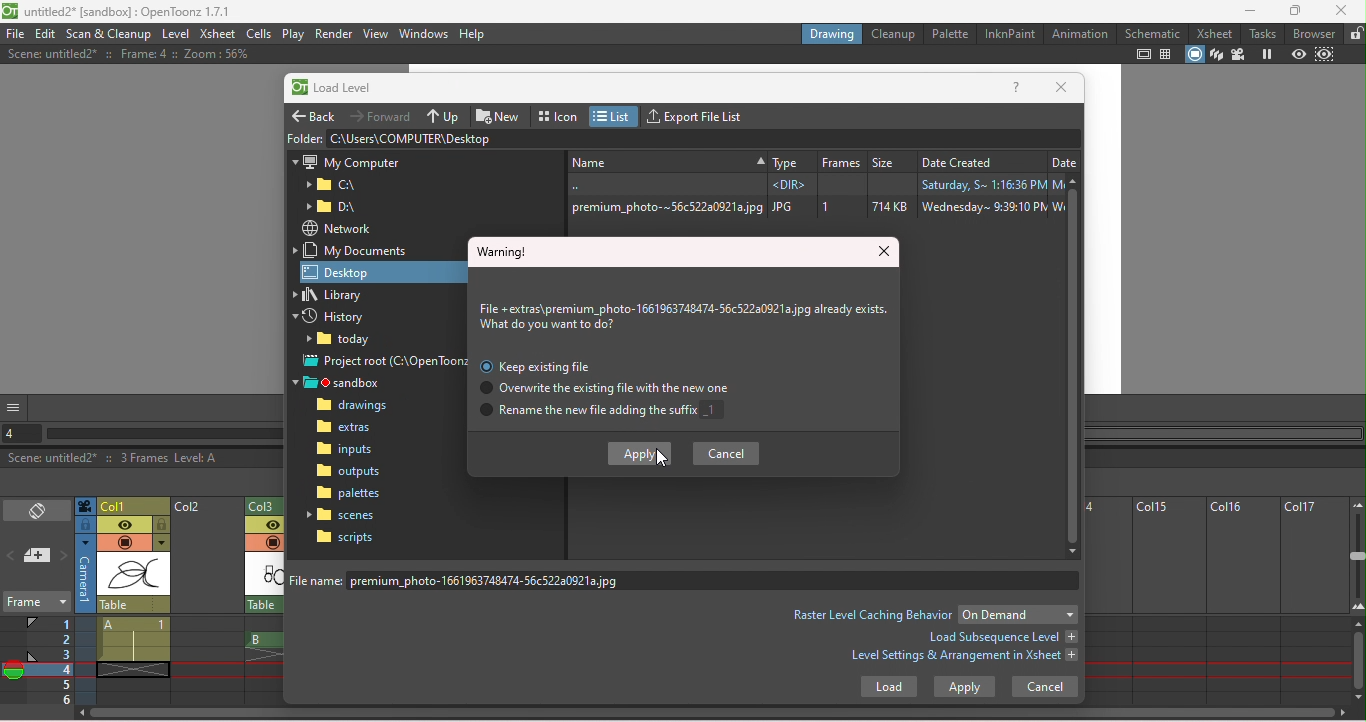 The image size is (1366, 722). What do you see at coordinates (354, 429) in the screenshot?
I see `Extras` at bounding box center [354, 429].